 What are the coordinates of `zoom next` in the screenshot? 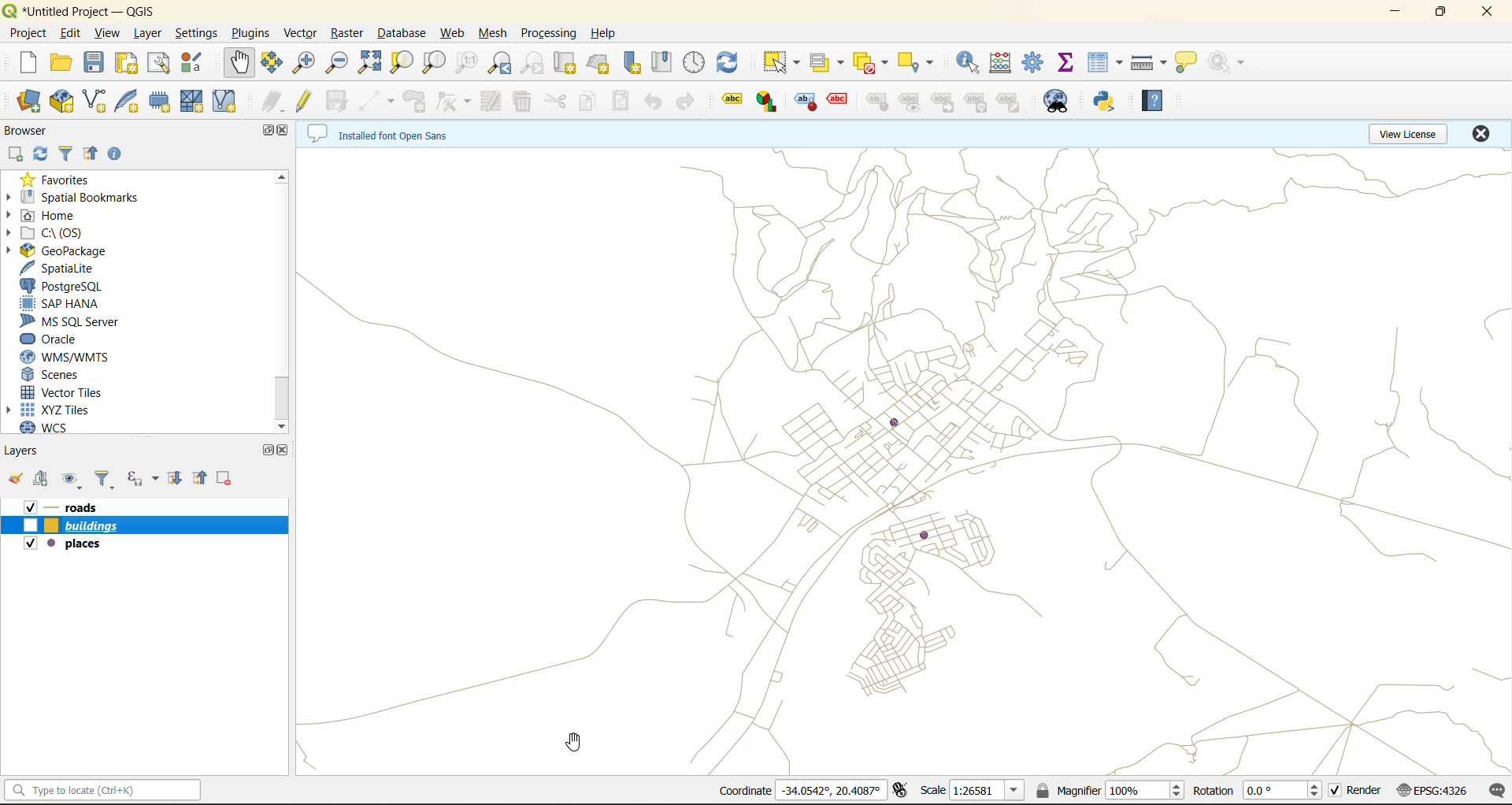 It's located at (536, 63).